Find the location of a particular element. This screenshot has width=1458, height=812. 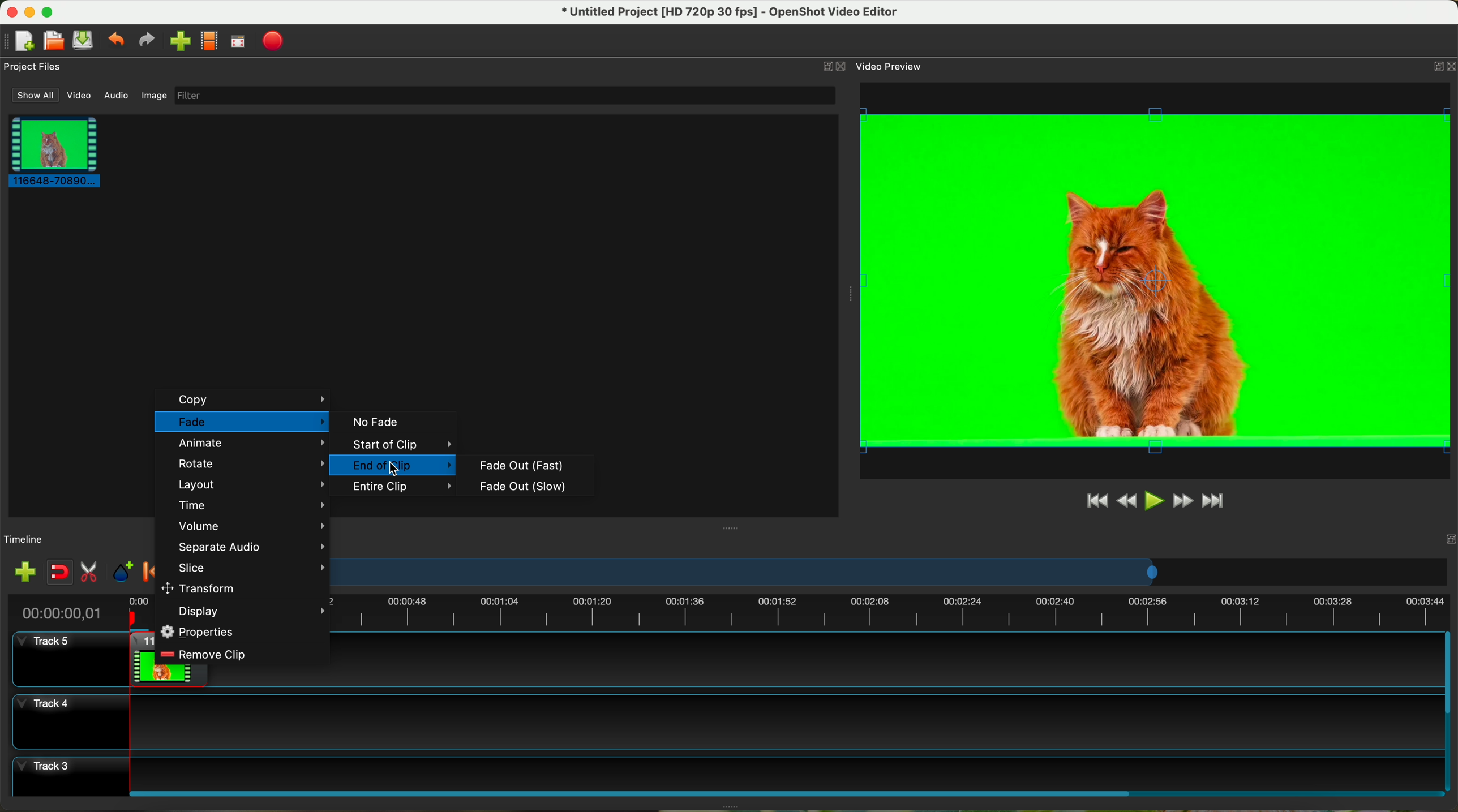

cursor is located at coordinates (397, 470).